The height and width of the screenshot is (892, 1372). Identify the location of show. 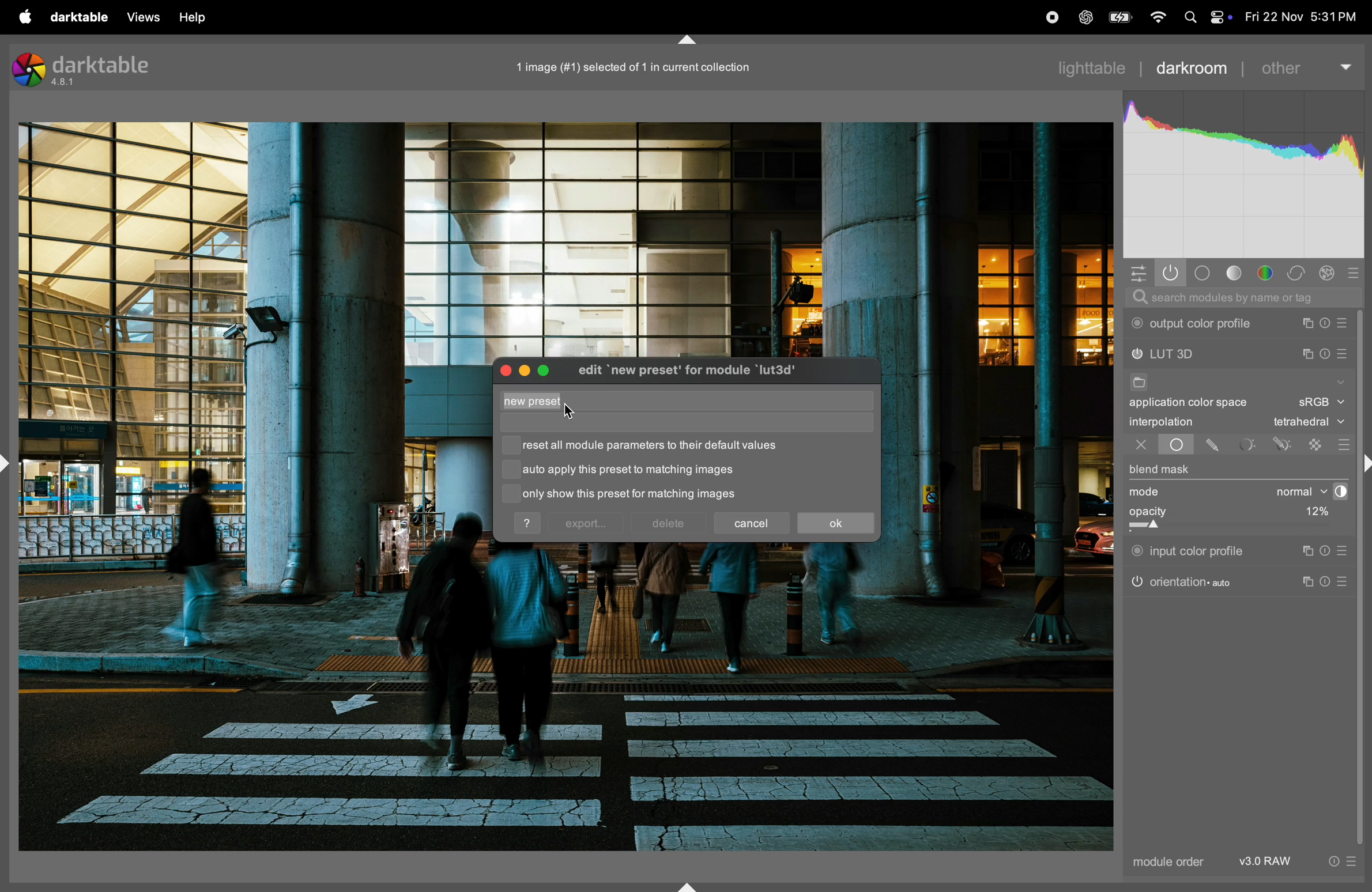
(1339, 380).